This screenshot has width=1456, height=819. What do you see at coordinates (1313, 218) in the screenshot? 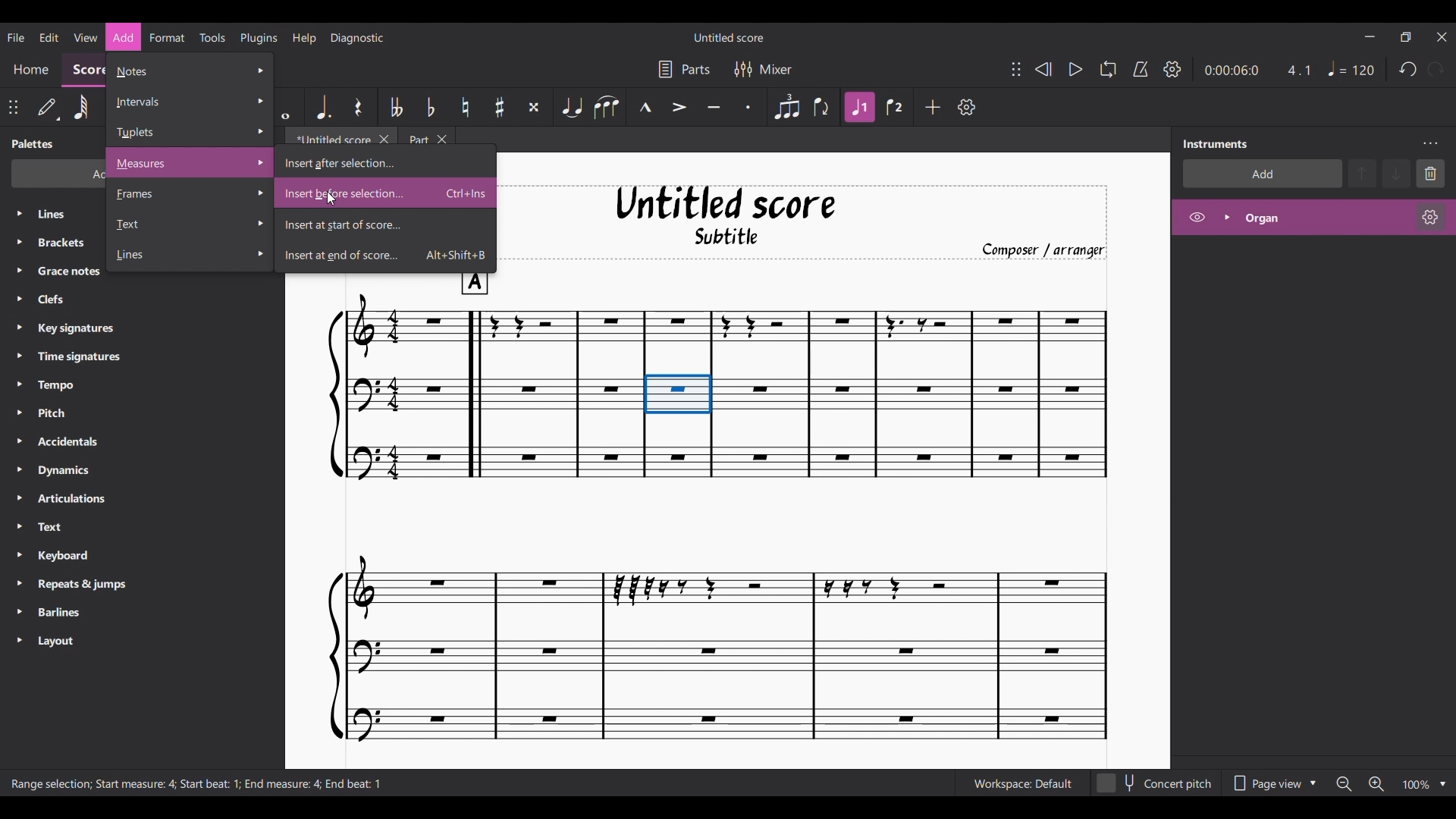
I see `Highlighted after current selection` at bounding box center [1313, 218].